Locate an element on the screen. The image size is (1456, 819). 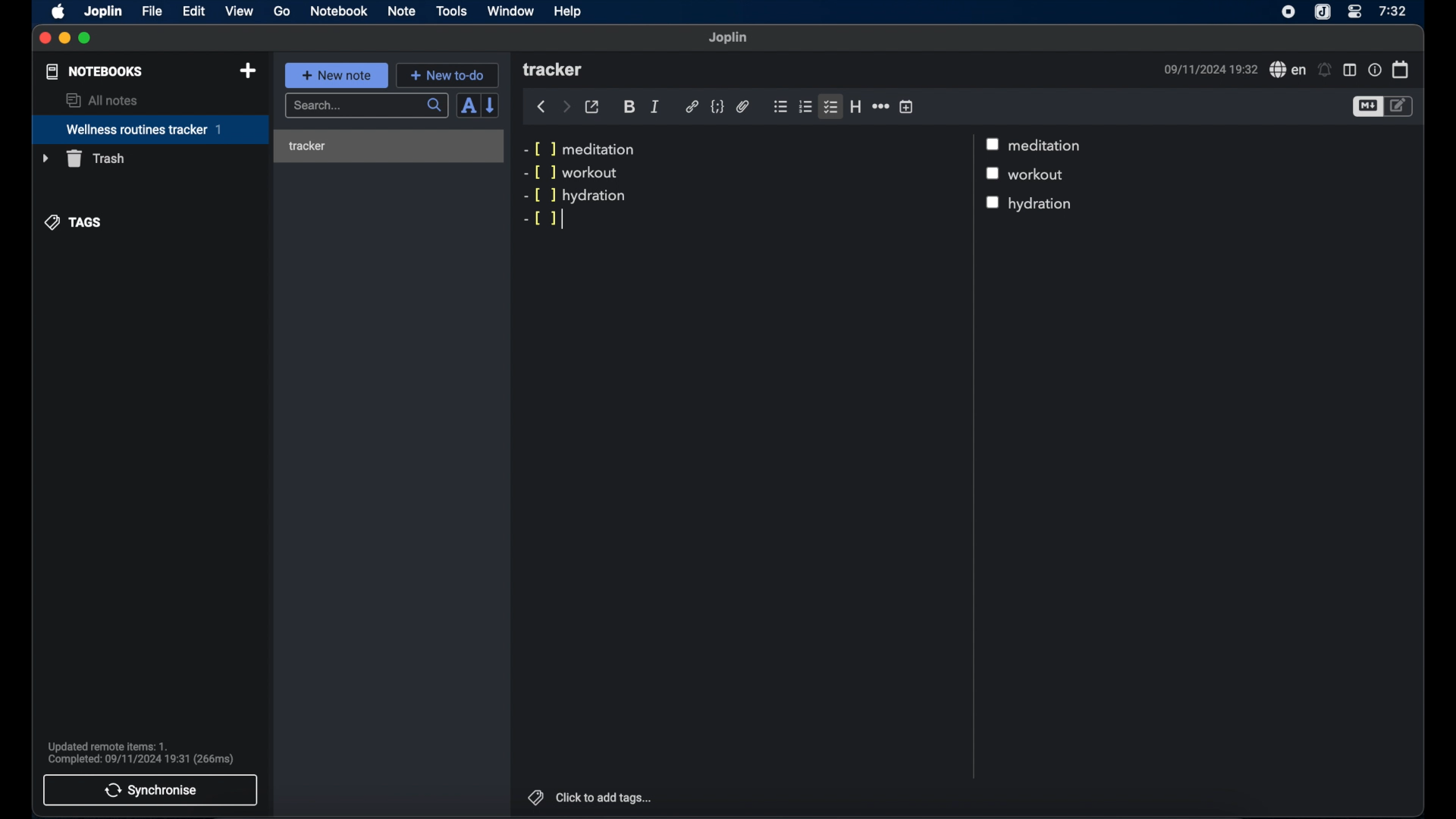
+ new note is located at coordinates (337, 75).